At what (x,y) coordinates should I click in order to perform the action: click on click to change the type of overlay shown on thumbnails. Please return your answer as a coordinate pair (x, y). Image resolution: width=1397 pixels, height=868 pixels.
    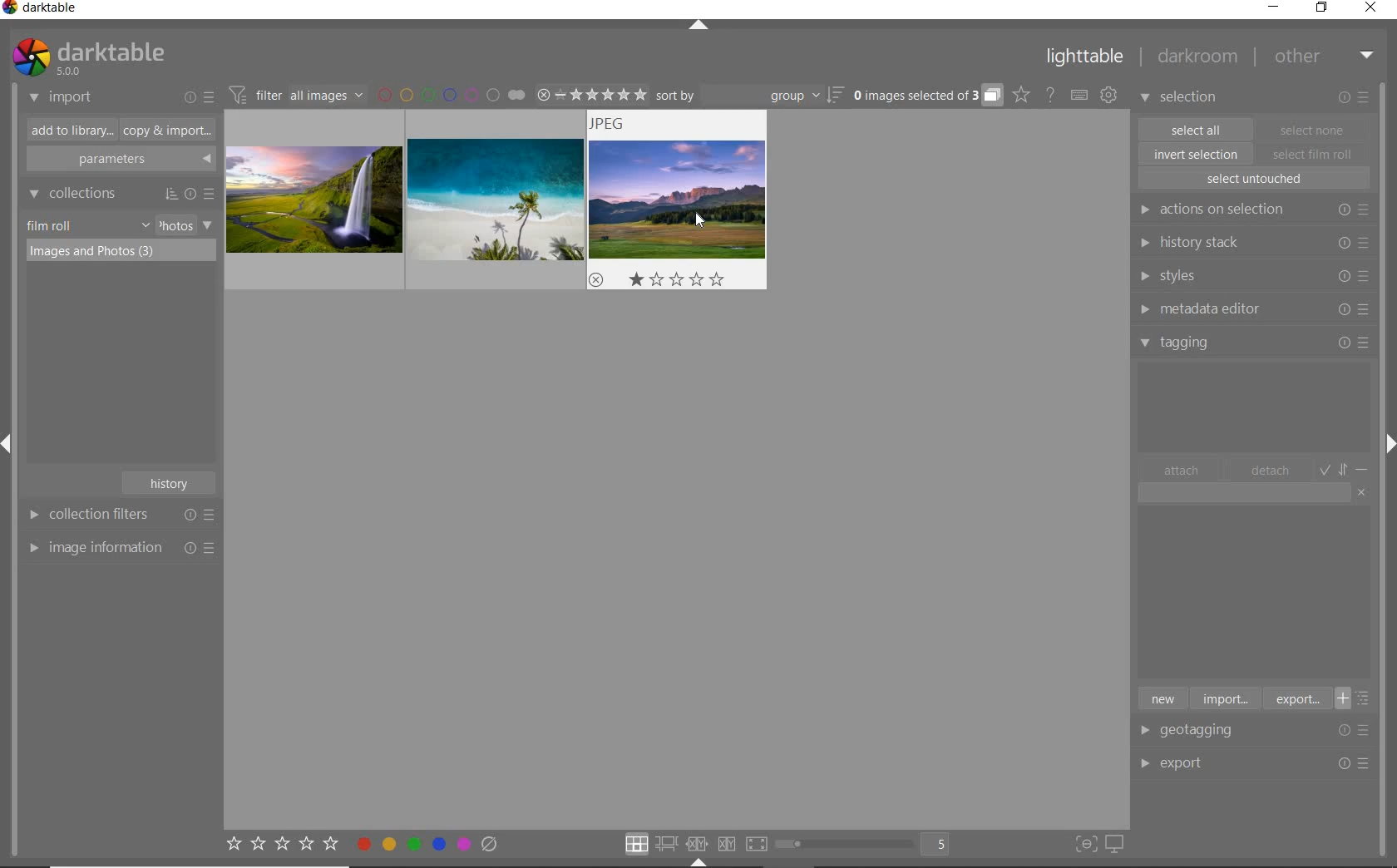
    Looking at the image, I should click on (1022, 95).